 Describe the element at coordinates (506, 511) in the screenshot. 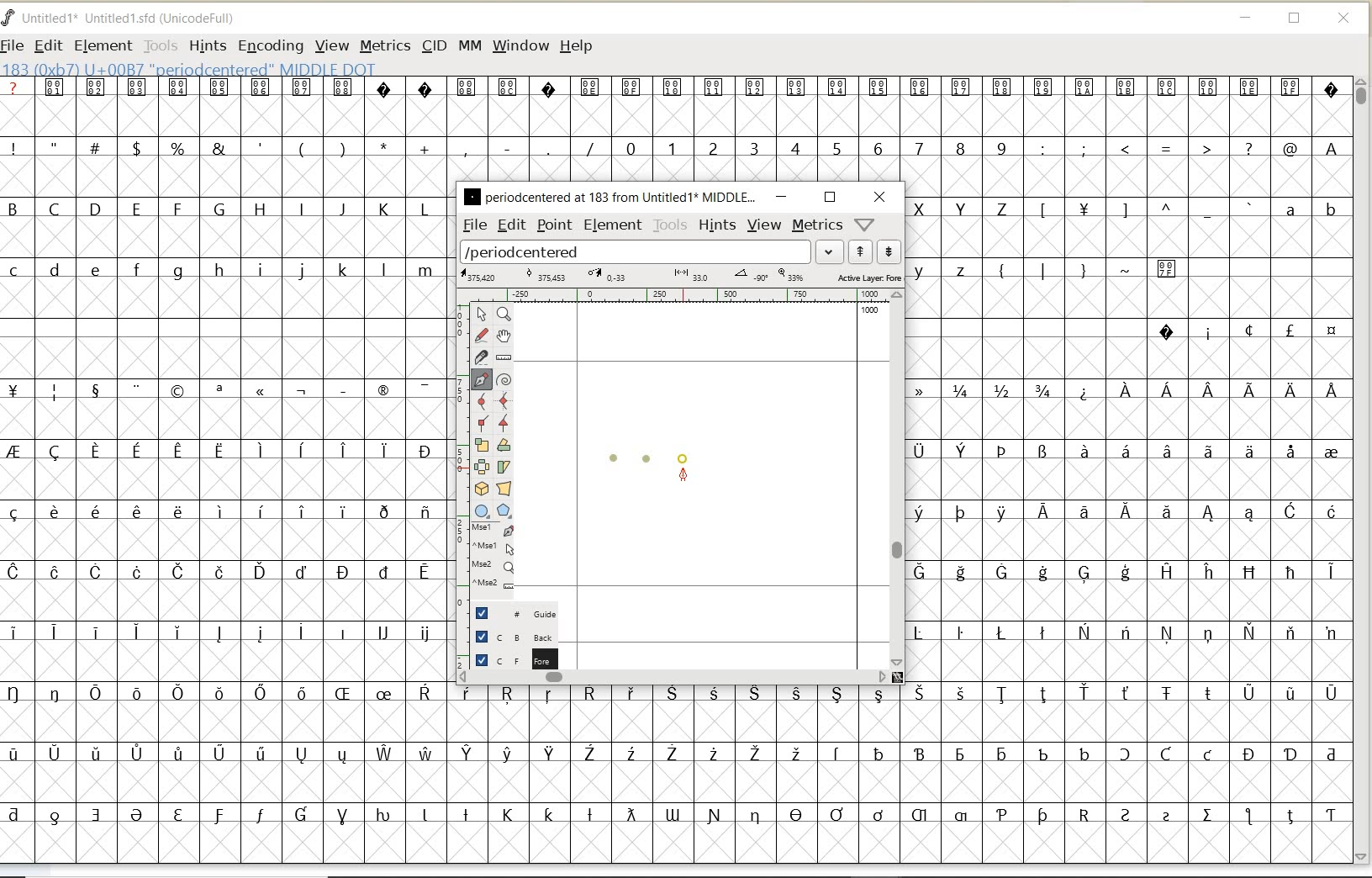

I see `polygon or star` at that location.